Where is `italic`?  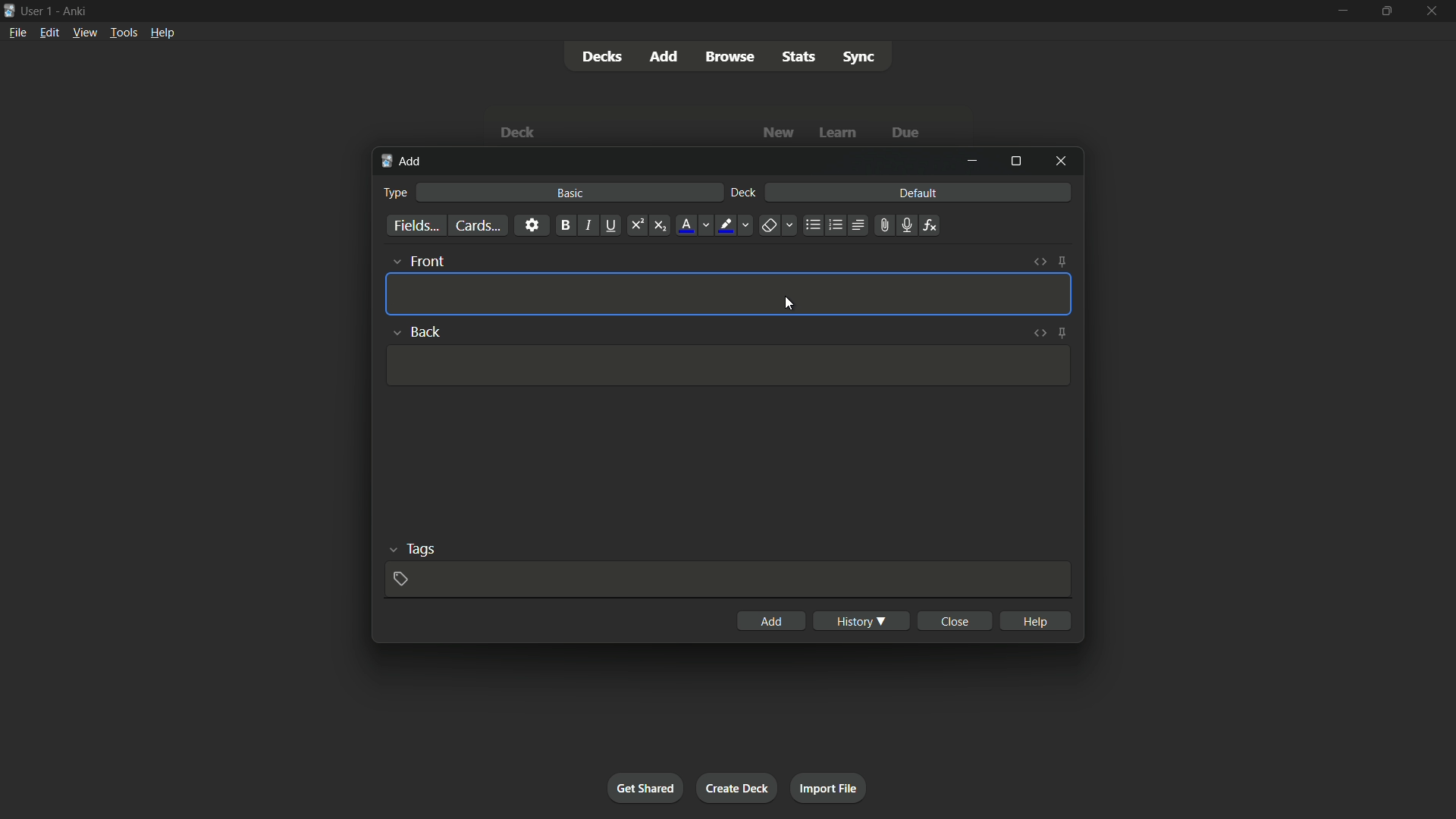 italic is located at coordinates (587, 225).